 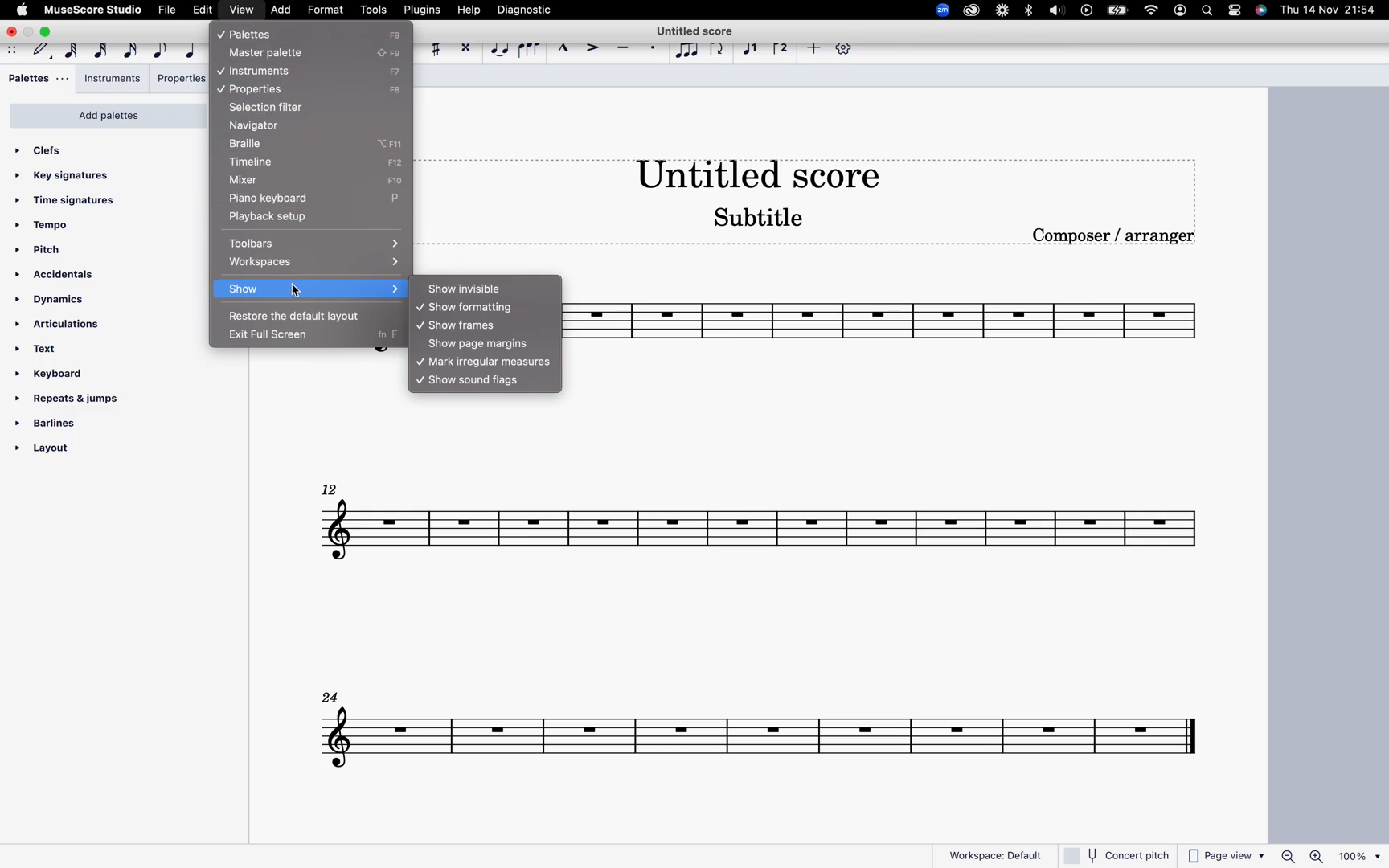 I want to click on quarter note, so click(x=190, y=52).